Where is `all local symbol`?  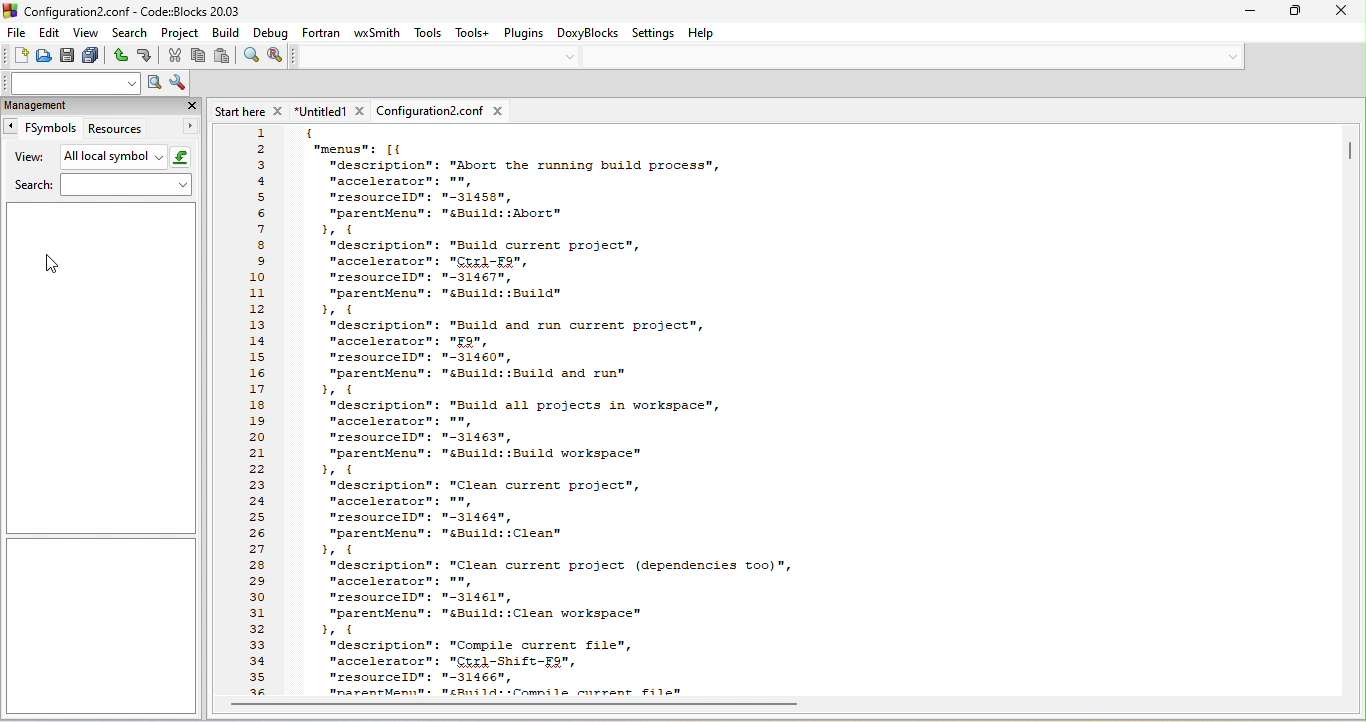 all local symbol is located at coordinates (127, 159).